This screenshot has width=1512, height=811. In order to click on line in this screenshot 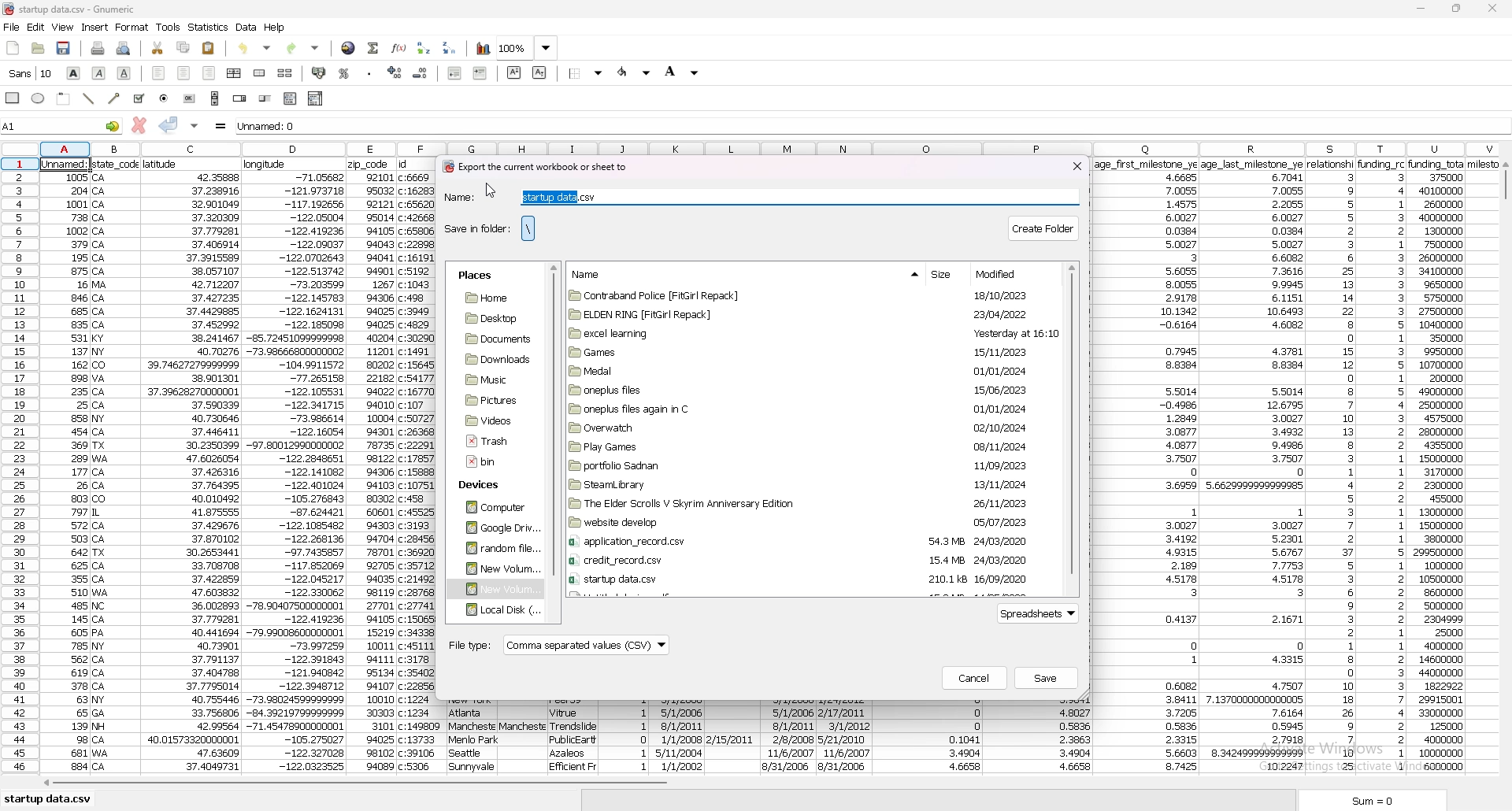, I will do `click(91, 98)`.